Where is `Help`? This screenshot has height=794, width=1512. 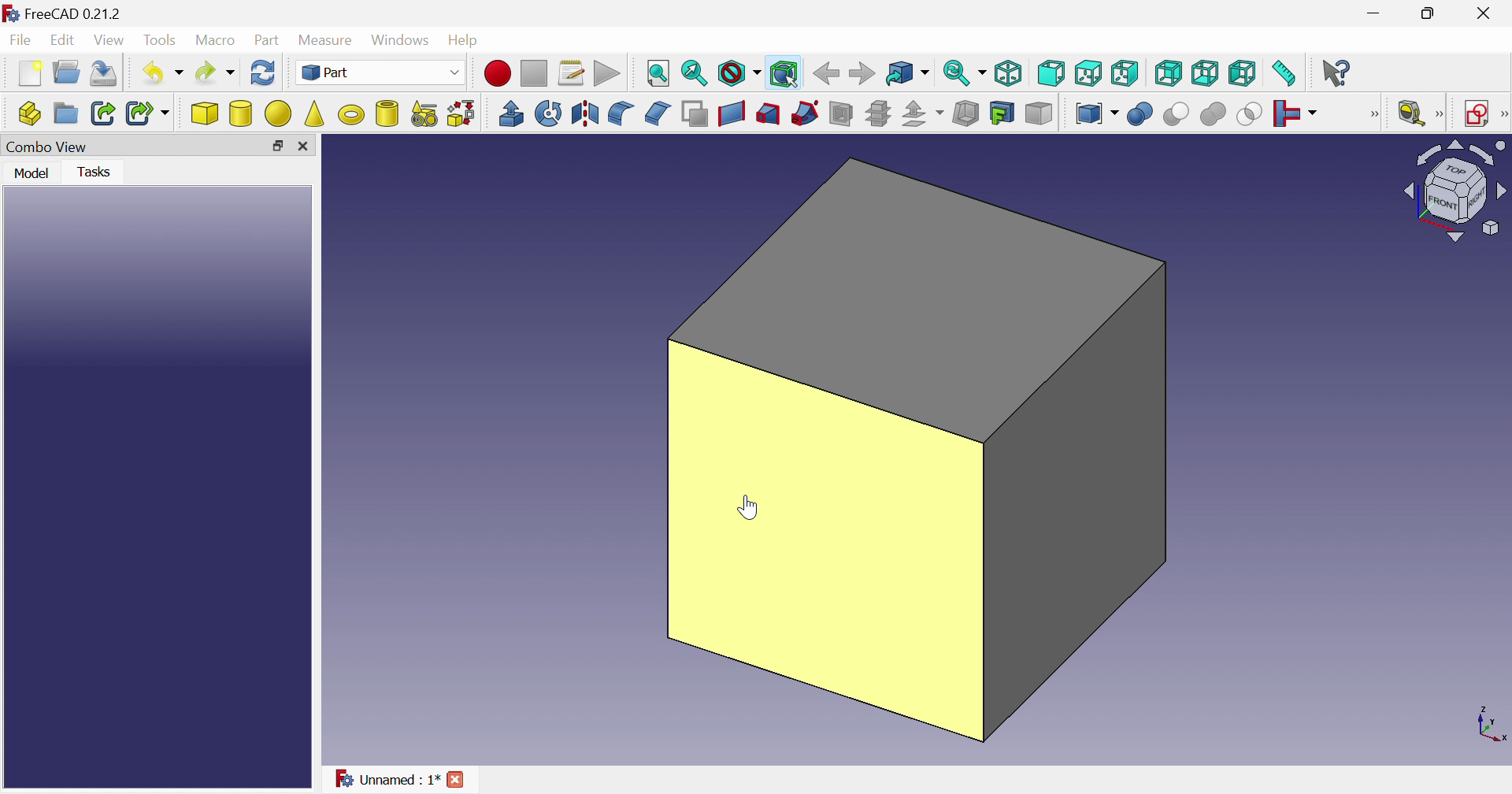 Help is located at coordinates (467, 39).